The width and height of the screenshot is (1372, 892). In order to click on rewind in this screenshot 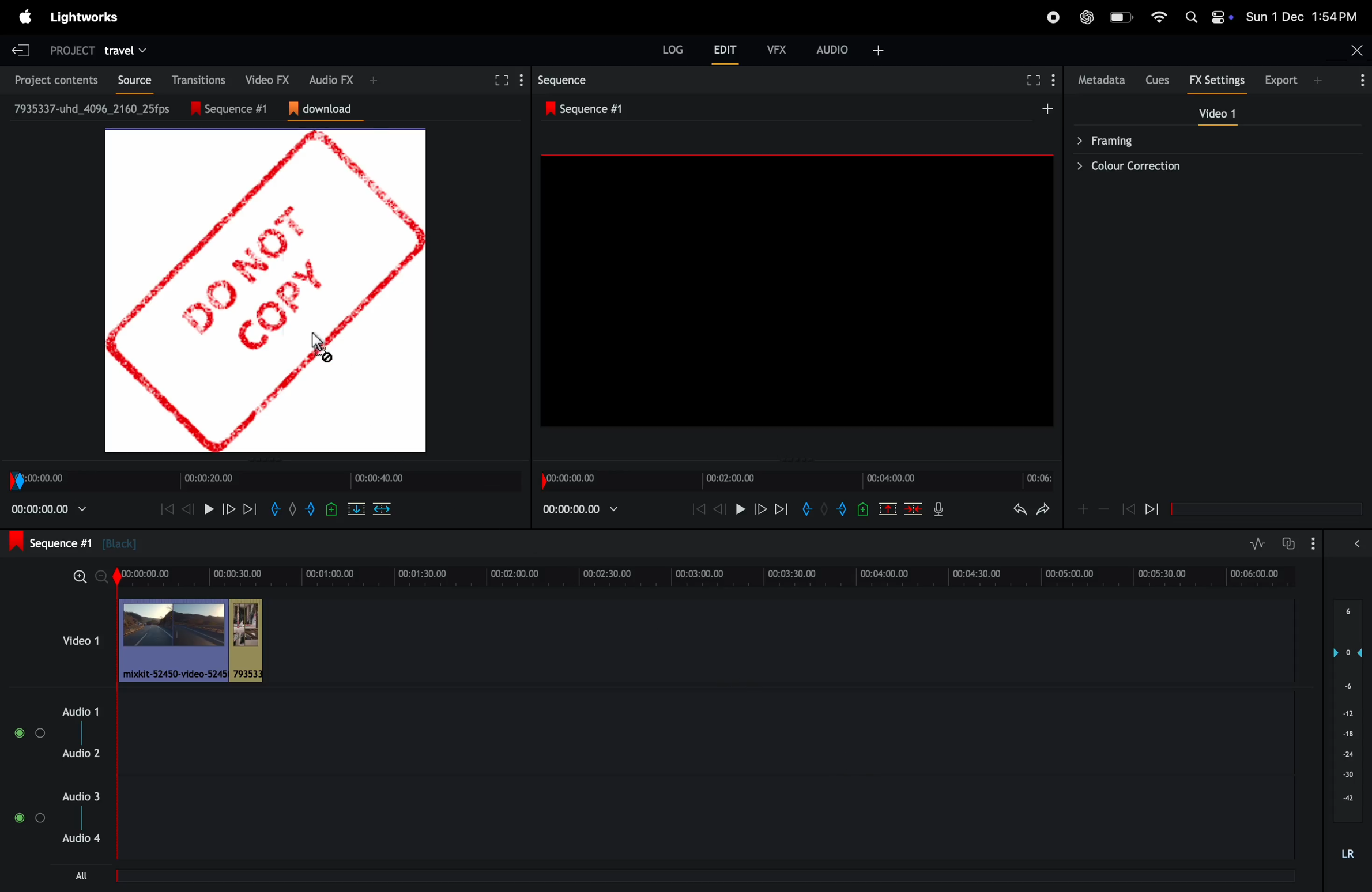, I will do `click(698, 508)`.